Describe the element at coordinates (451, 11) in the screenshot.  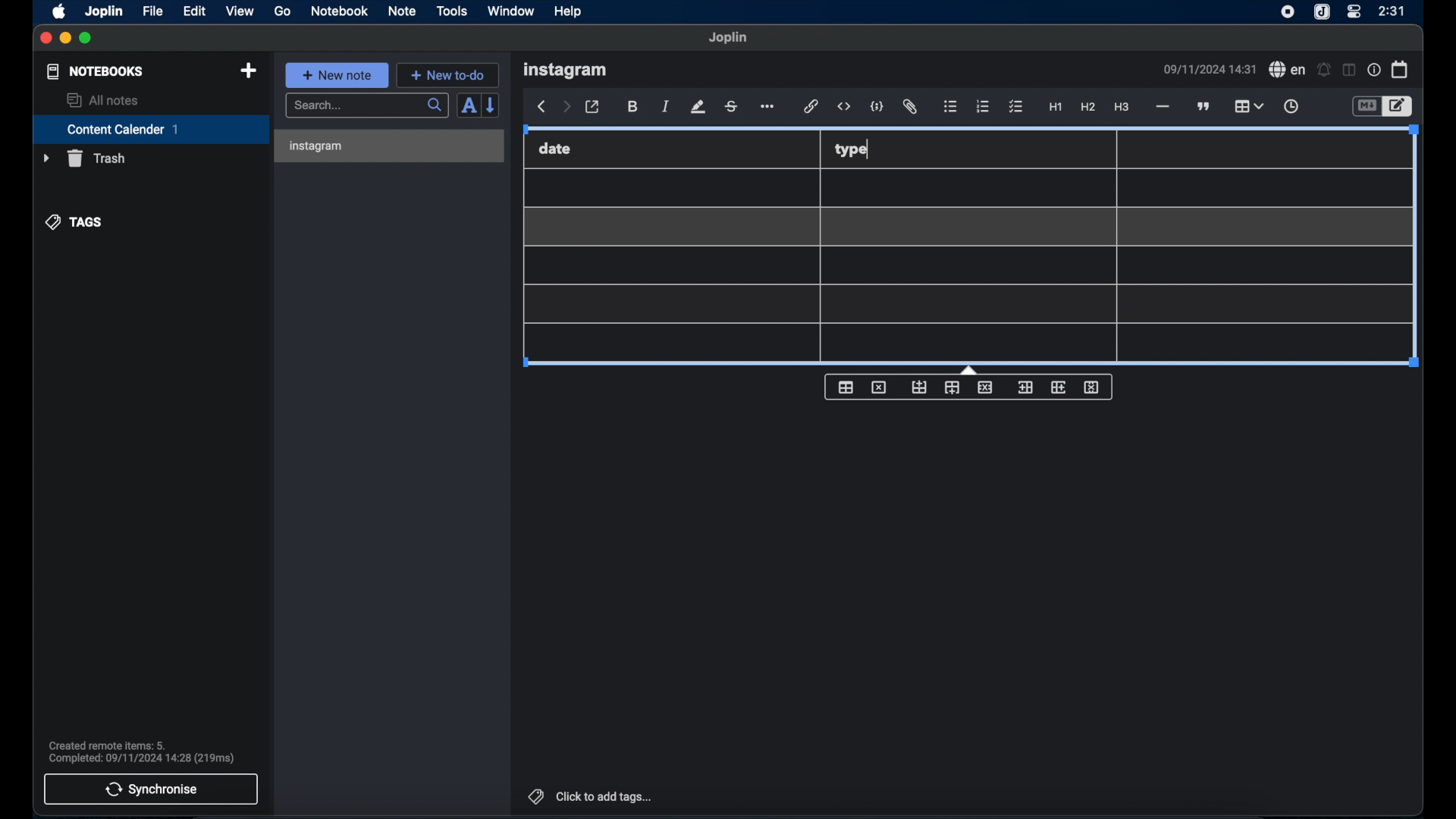
I see `tools` at that location.